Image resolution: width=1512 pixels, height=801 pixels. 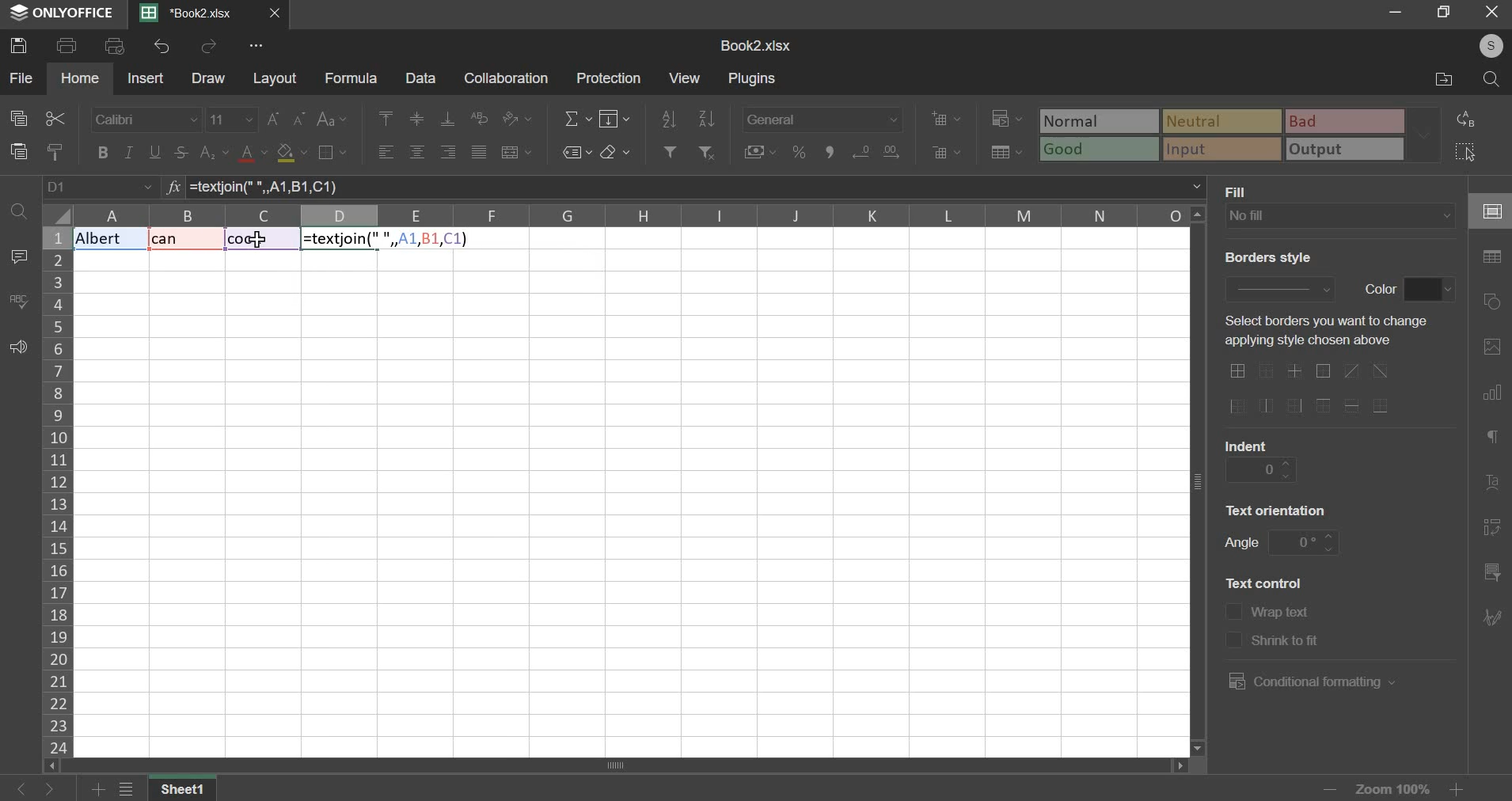 I want to click on text, so click(x=1266, y=257).